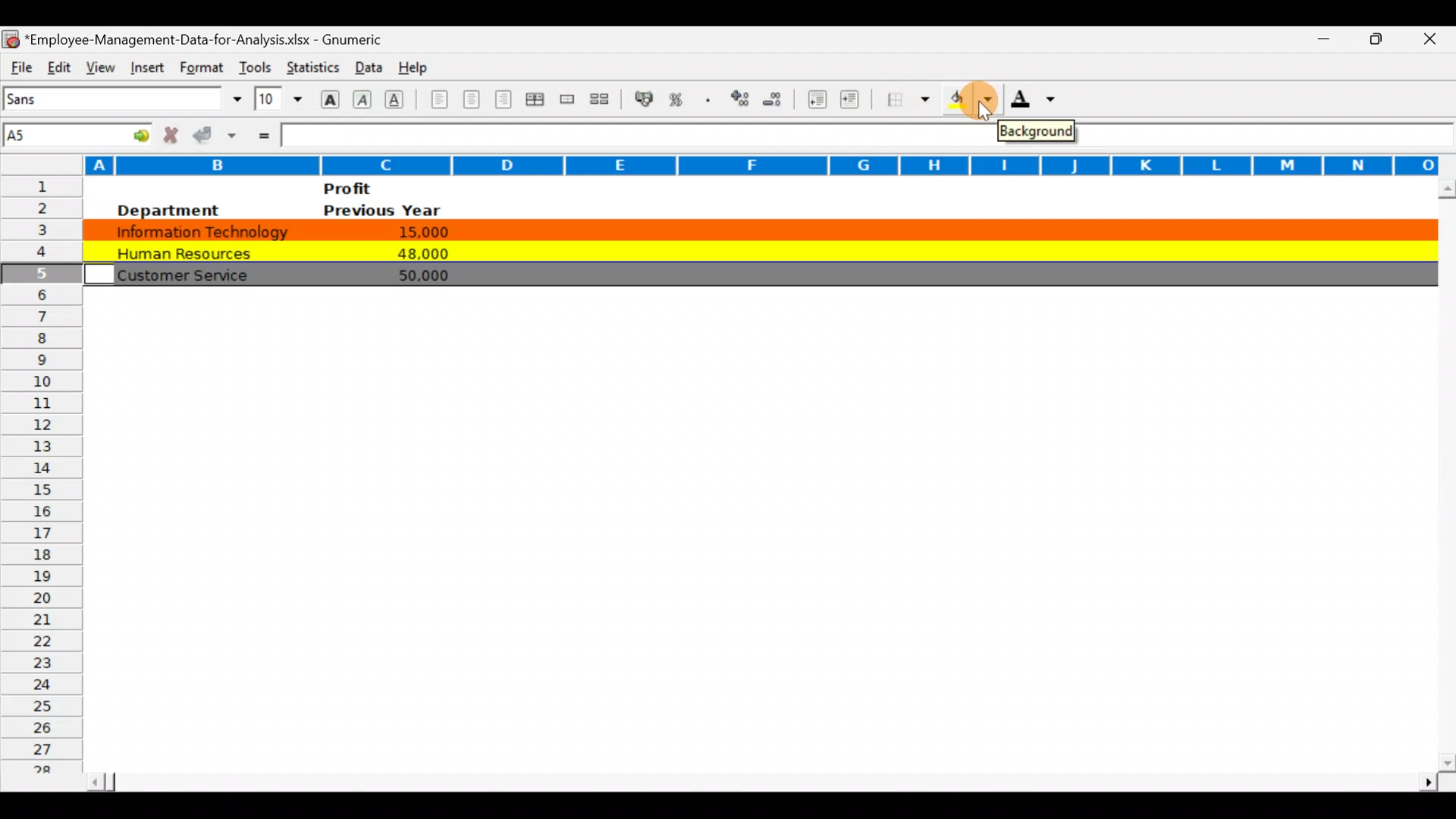 This screenshot has height=819, width=1456. I want to click on Previous year, so click(382, 209).